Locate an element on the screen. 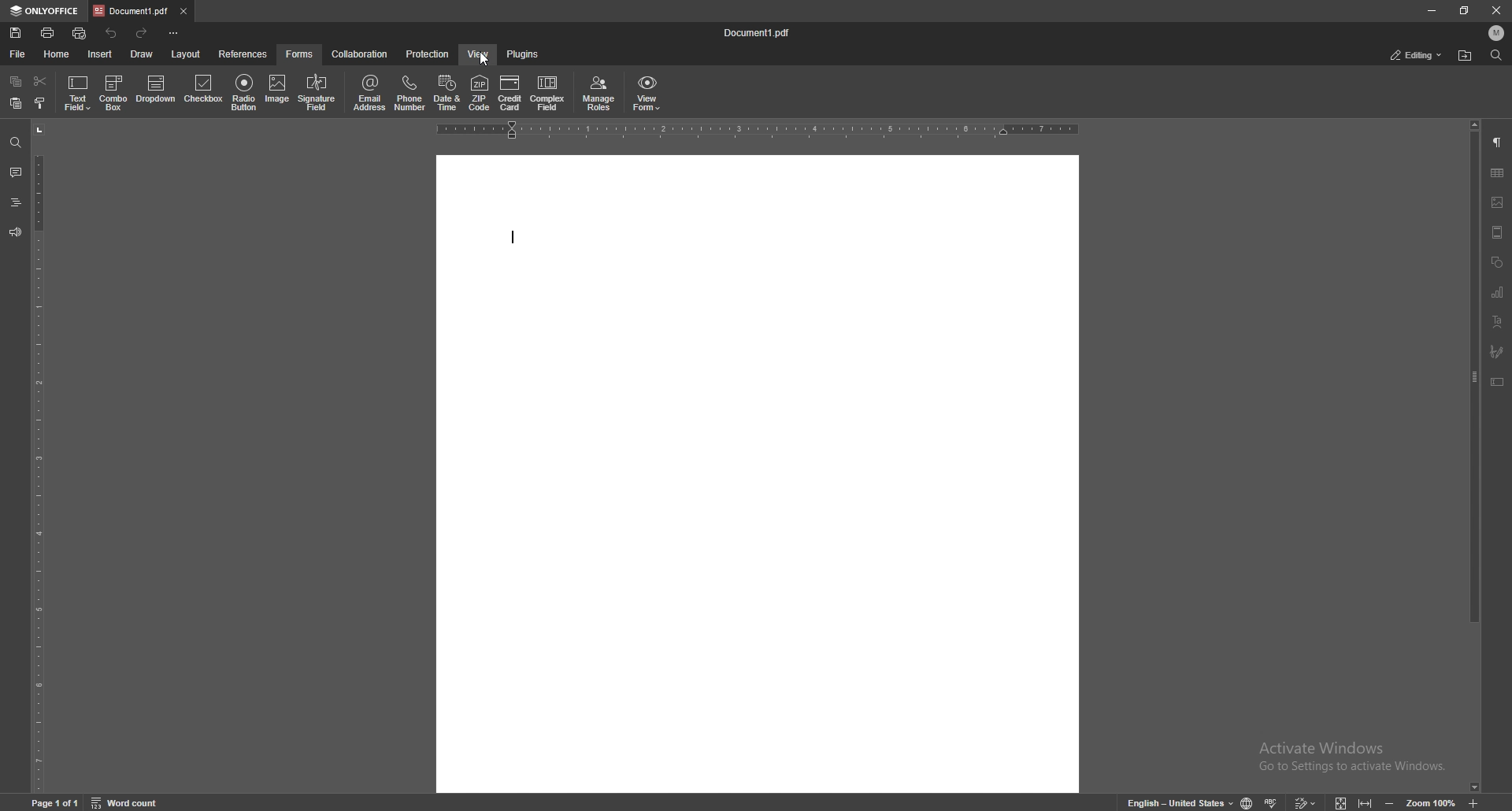  comment is located at coordinates (16, 173).